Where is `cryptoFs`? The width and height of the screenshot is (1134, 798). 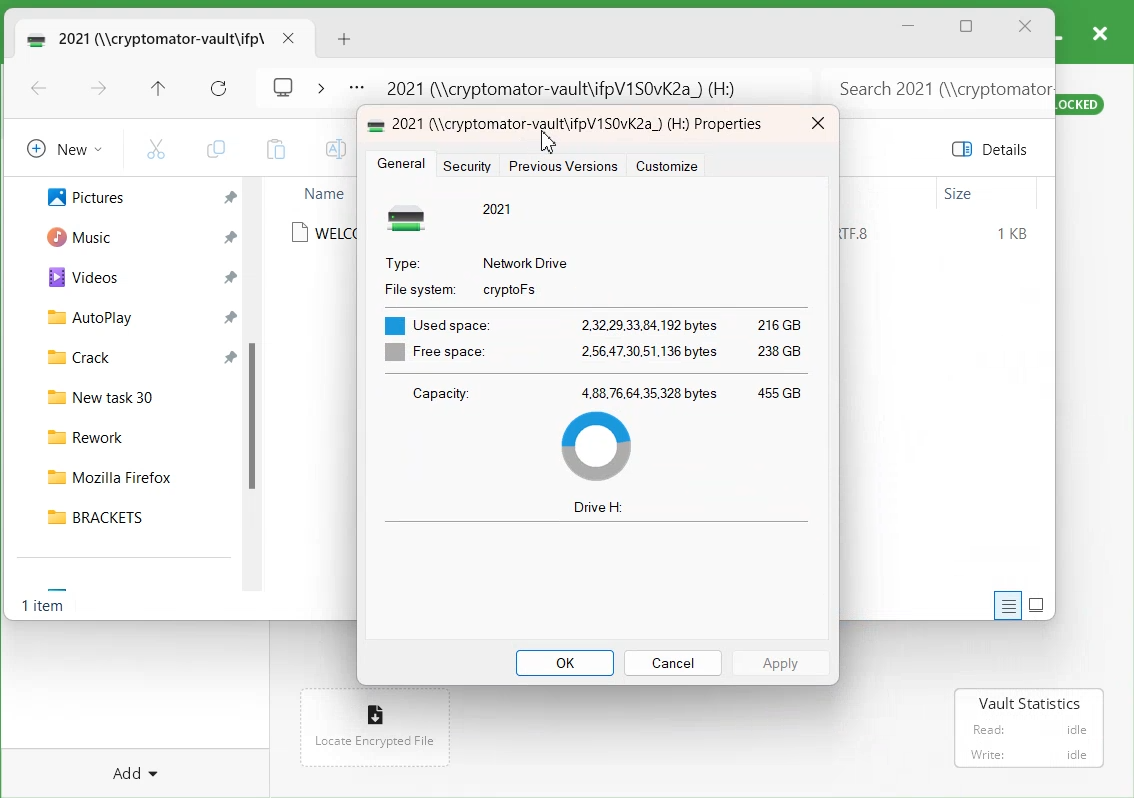 cryptoFs is located at coordinates (510, 290).